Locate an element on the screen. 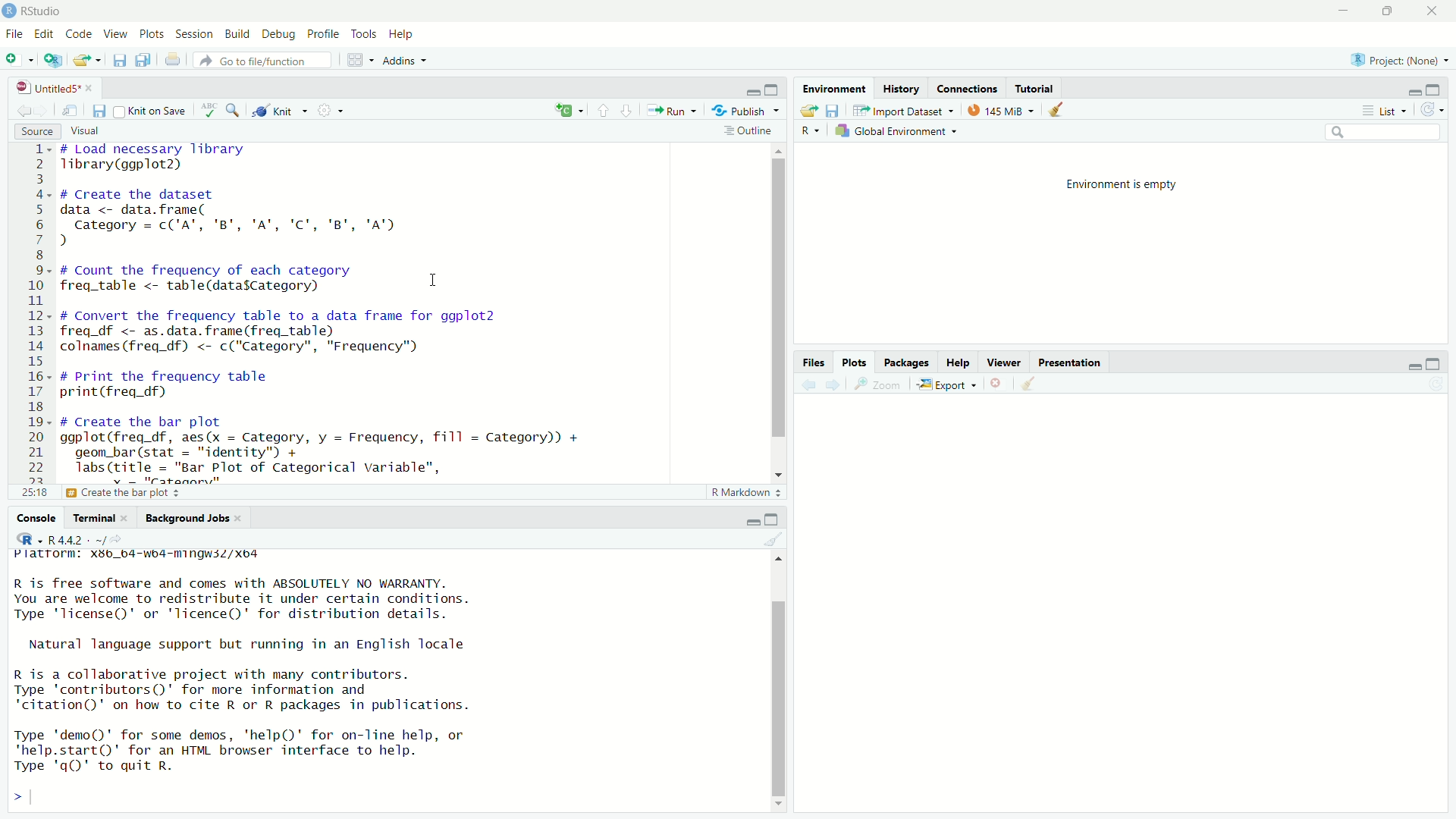 The height and width of the screenshot is (819, 1456). zoom is located at coordinates (879, 384).